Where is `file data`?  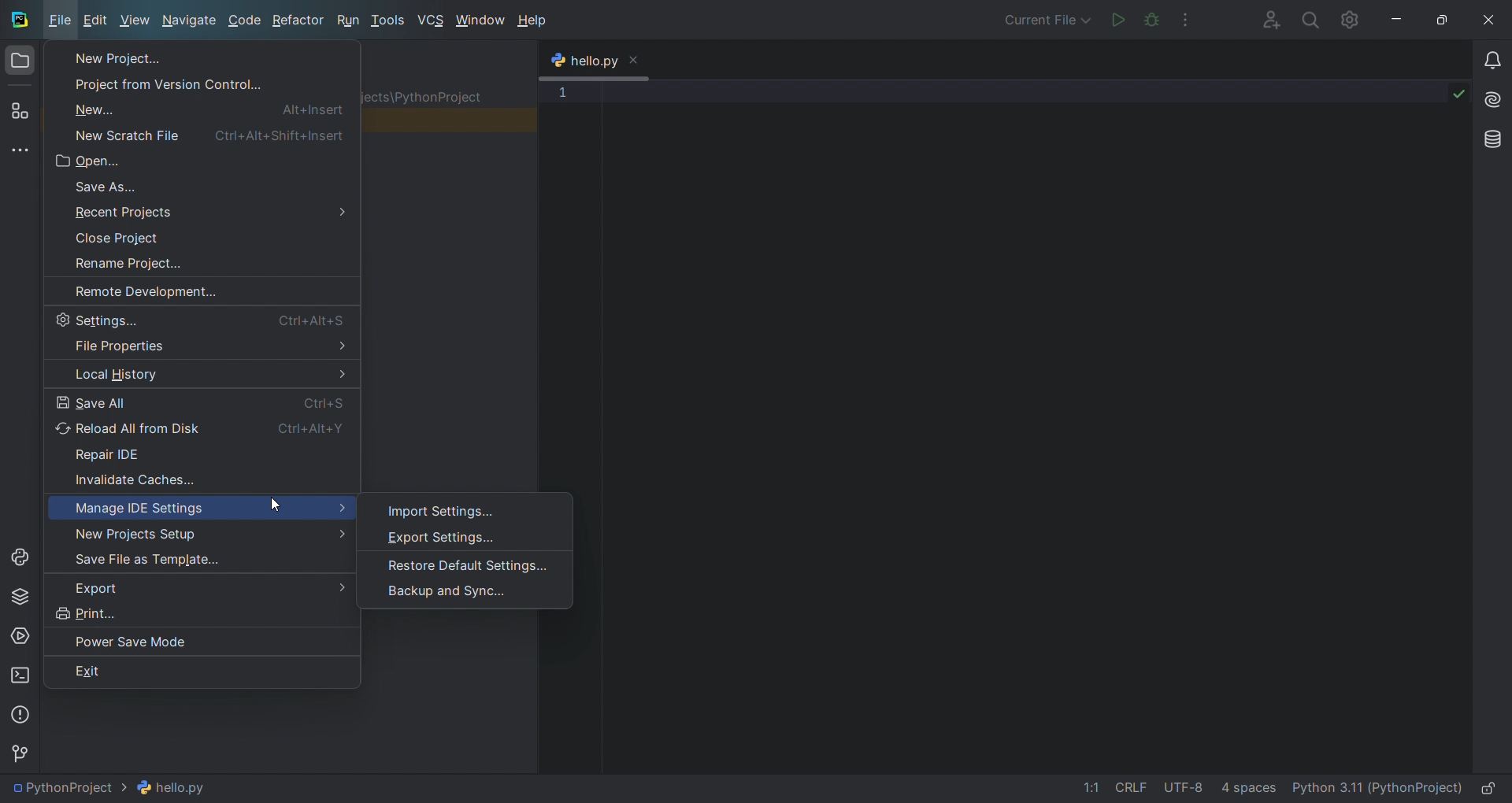
file data is located at coordinates (1169, 786).